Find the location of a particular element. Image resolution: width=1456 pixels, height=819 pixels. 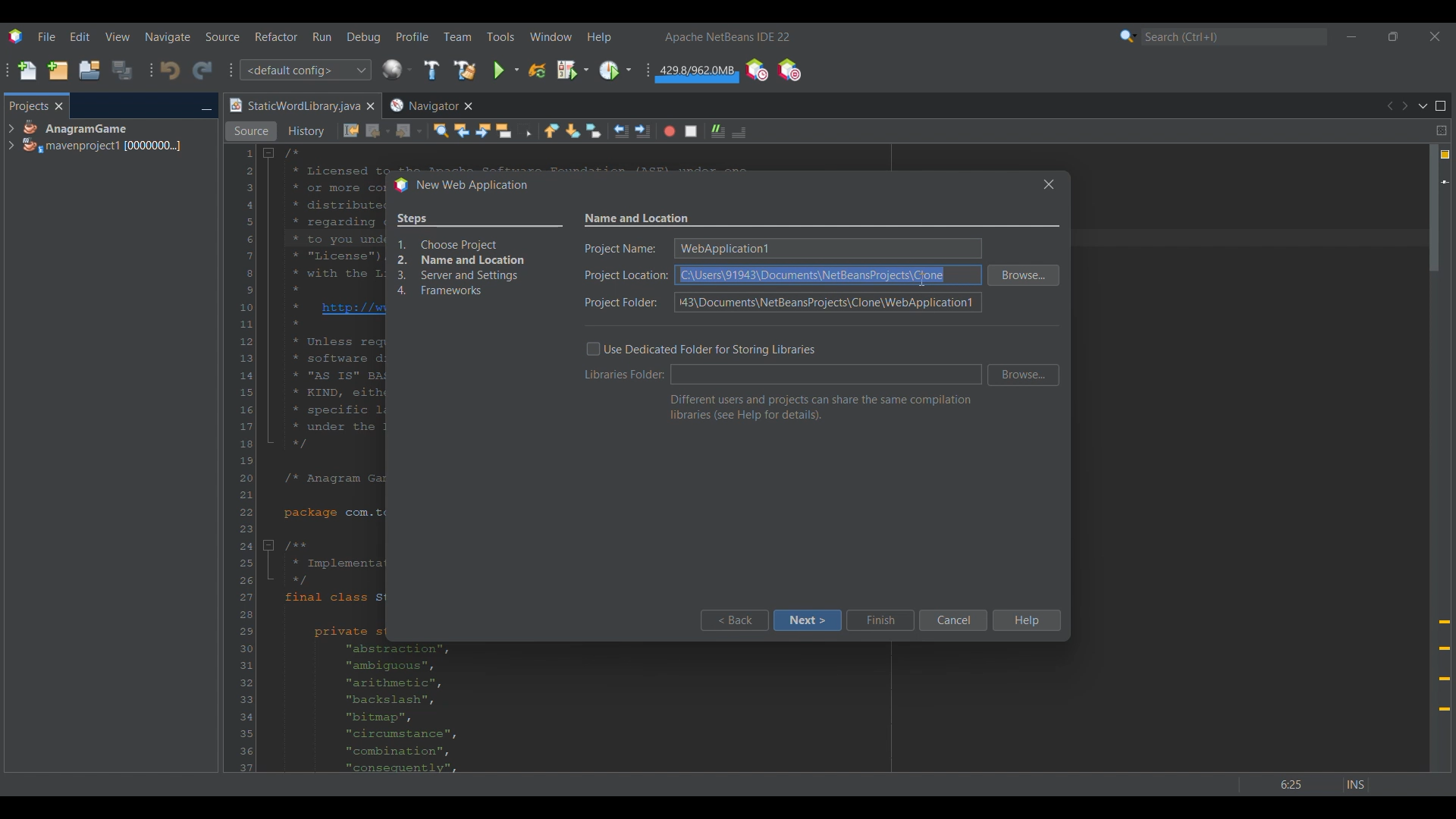

Profile menu is located at coordinates (413, 36).